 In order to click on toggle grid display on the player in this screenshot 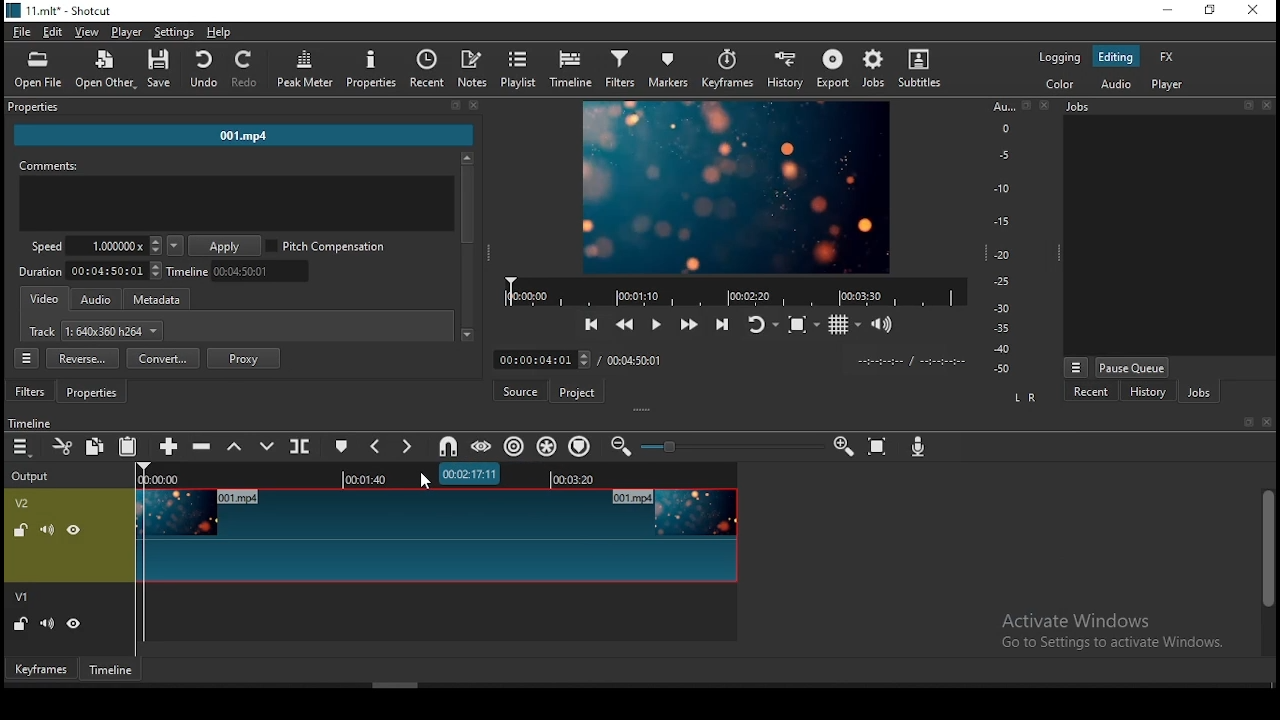, I will do `click(847, 324)`.